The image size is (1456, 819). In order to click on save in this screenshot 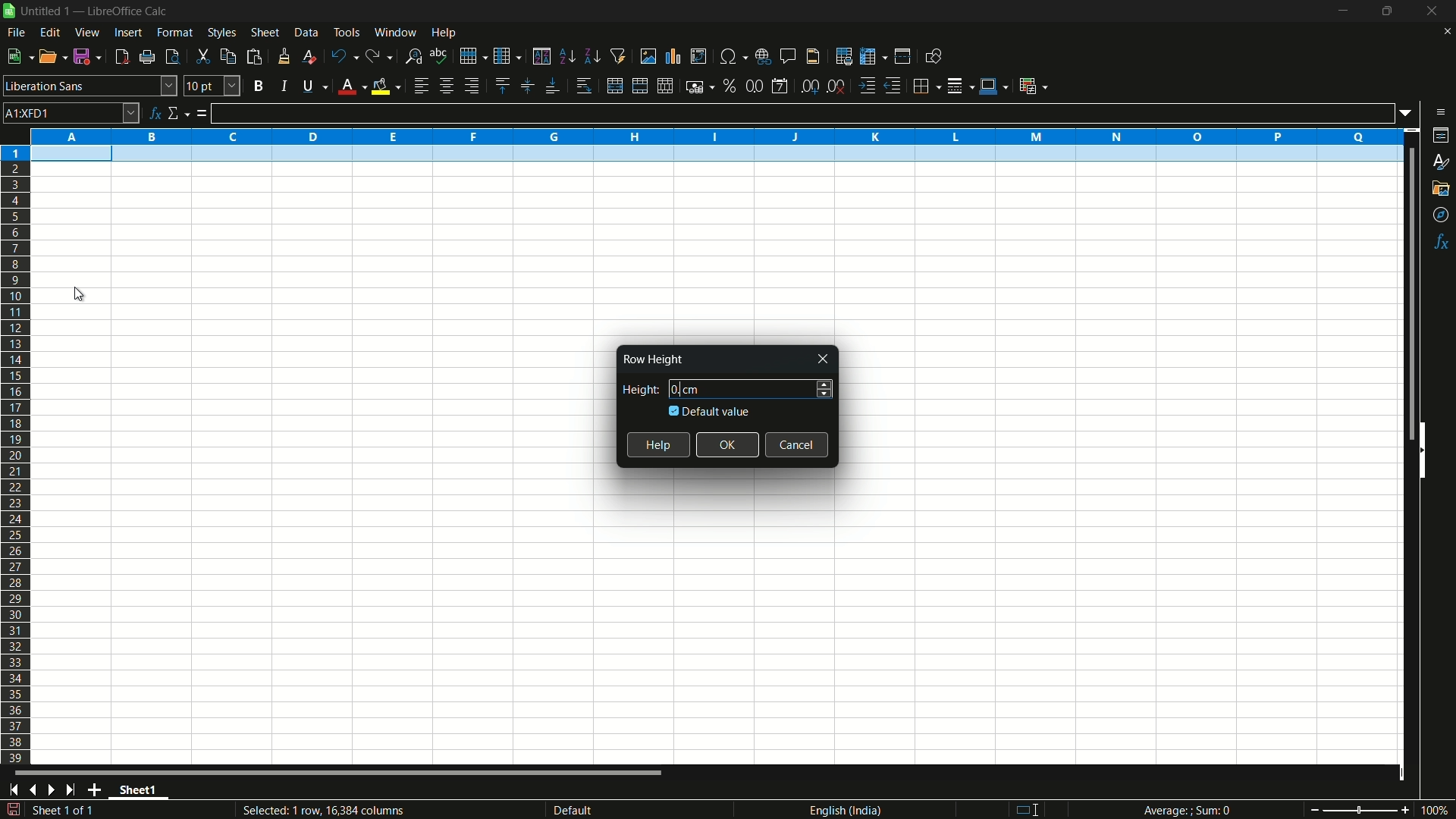, I will do `click(13, 810)`.